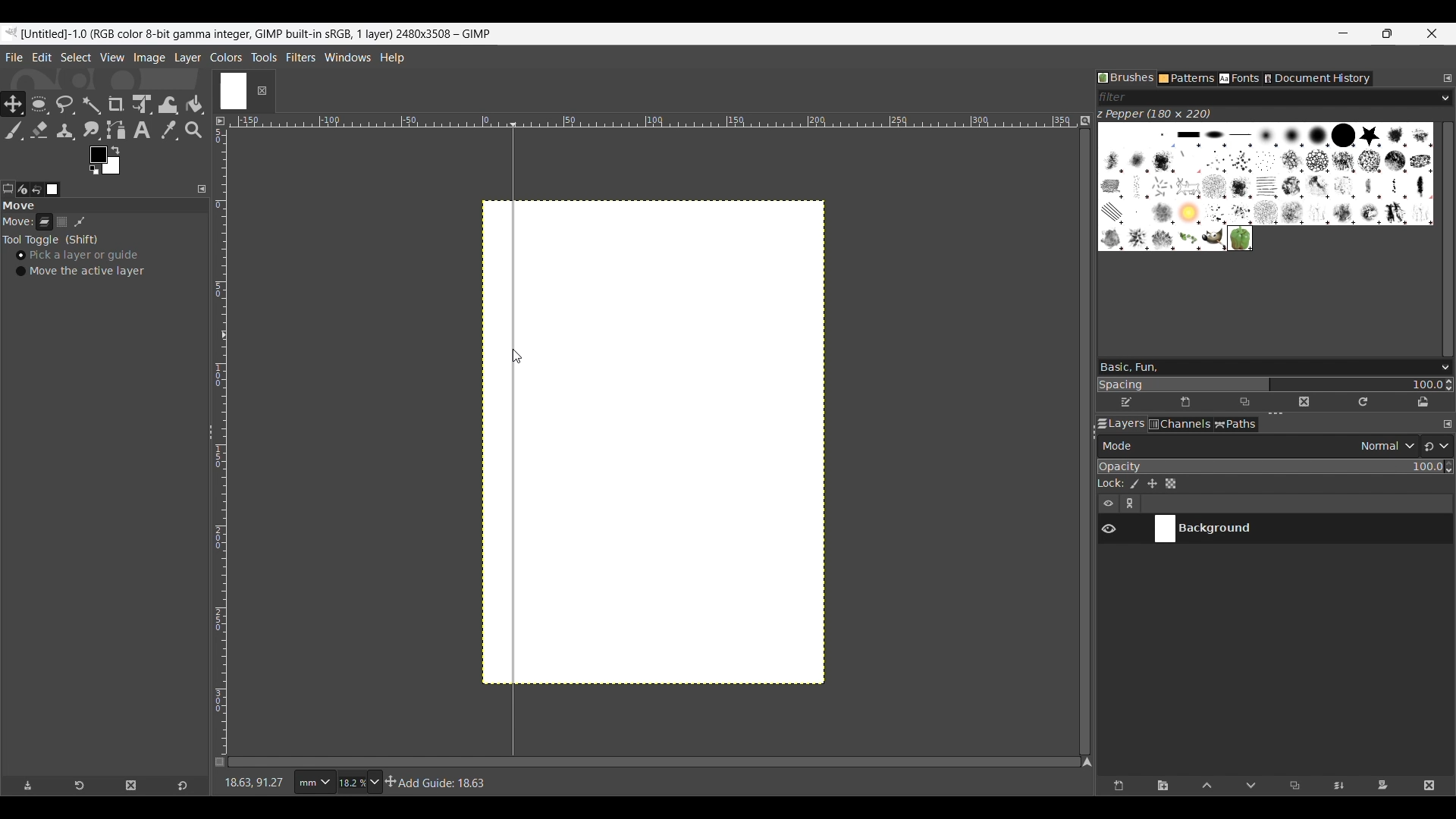 The height and width of the screenshot is (819, 1456). I want to click on Brushes tab, current selection highlighted, so click(1126, 77).